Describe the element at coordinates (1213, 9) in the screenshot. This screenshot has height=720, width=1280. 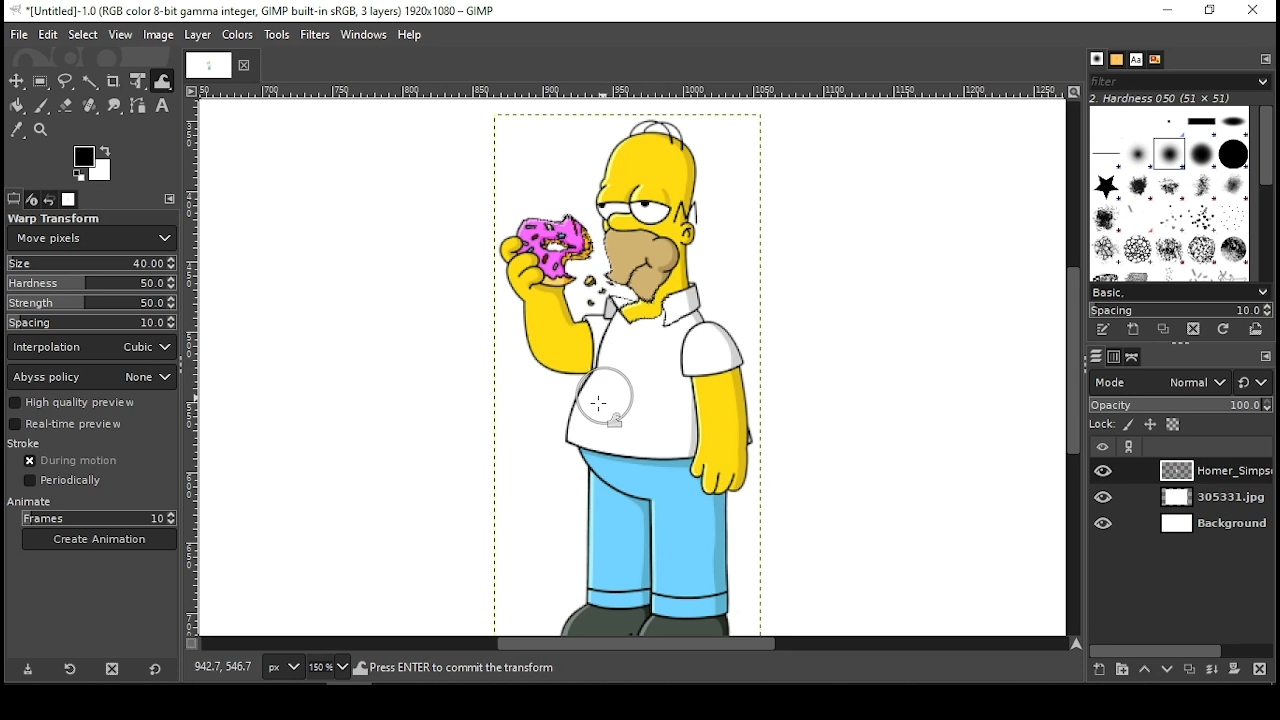
I see `restore` at that location.